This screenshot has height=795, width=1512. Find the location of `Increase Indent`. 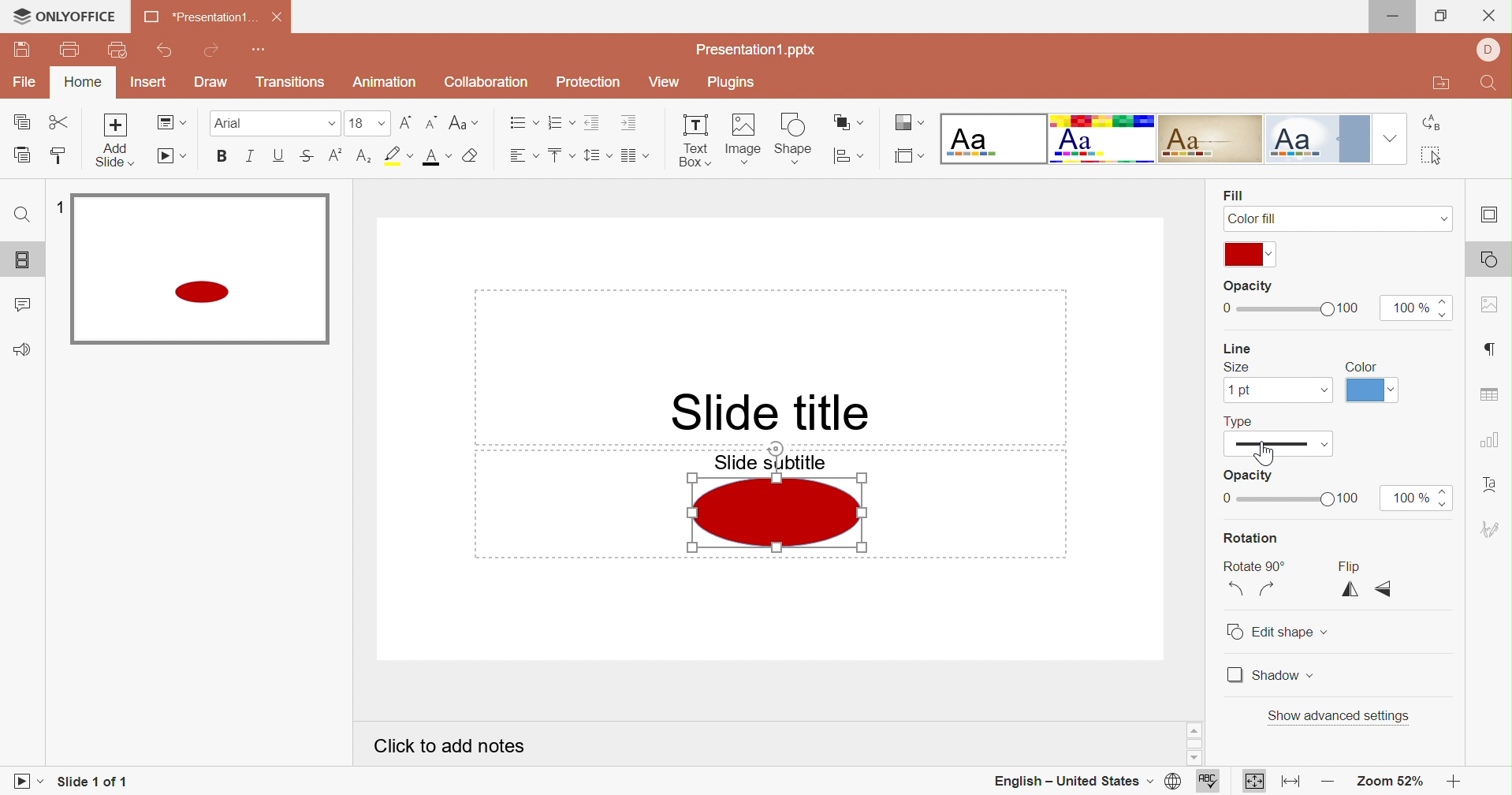

Increase Indent is located at coordinates (627, 123).